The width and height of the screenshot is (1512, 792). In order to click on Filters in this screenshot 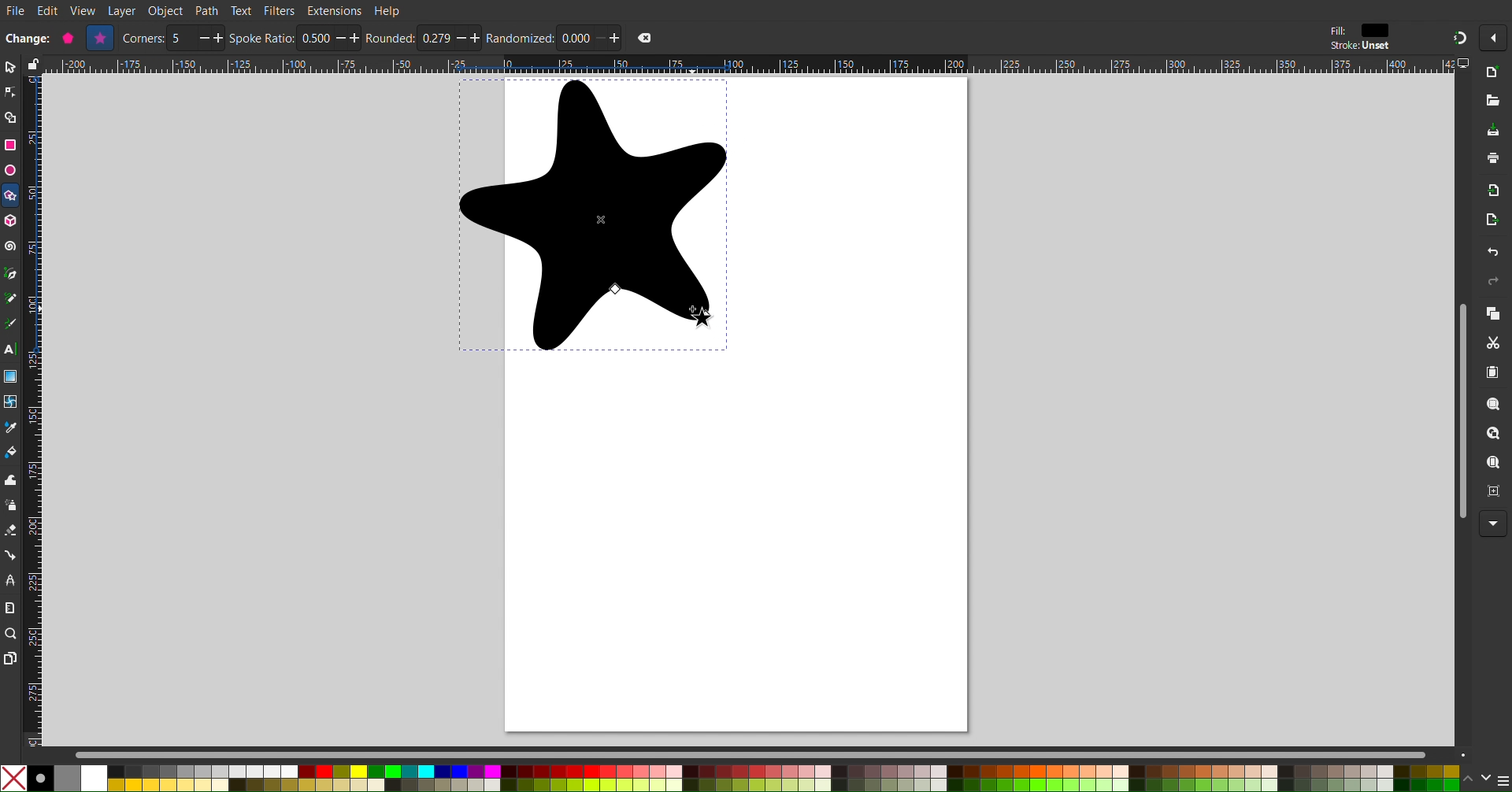, I will do `click(280, 10)`.